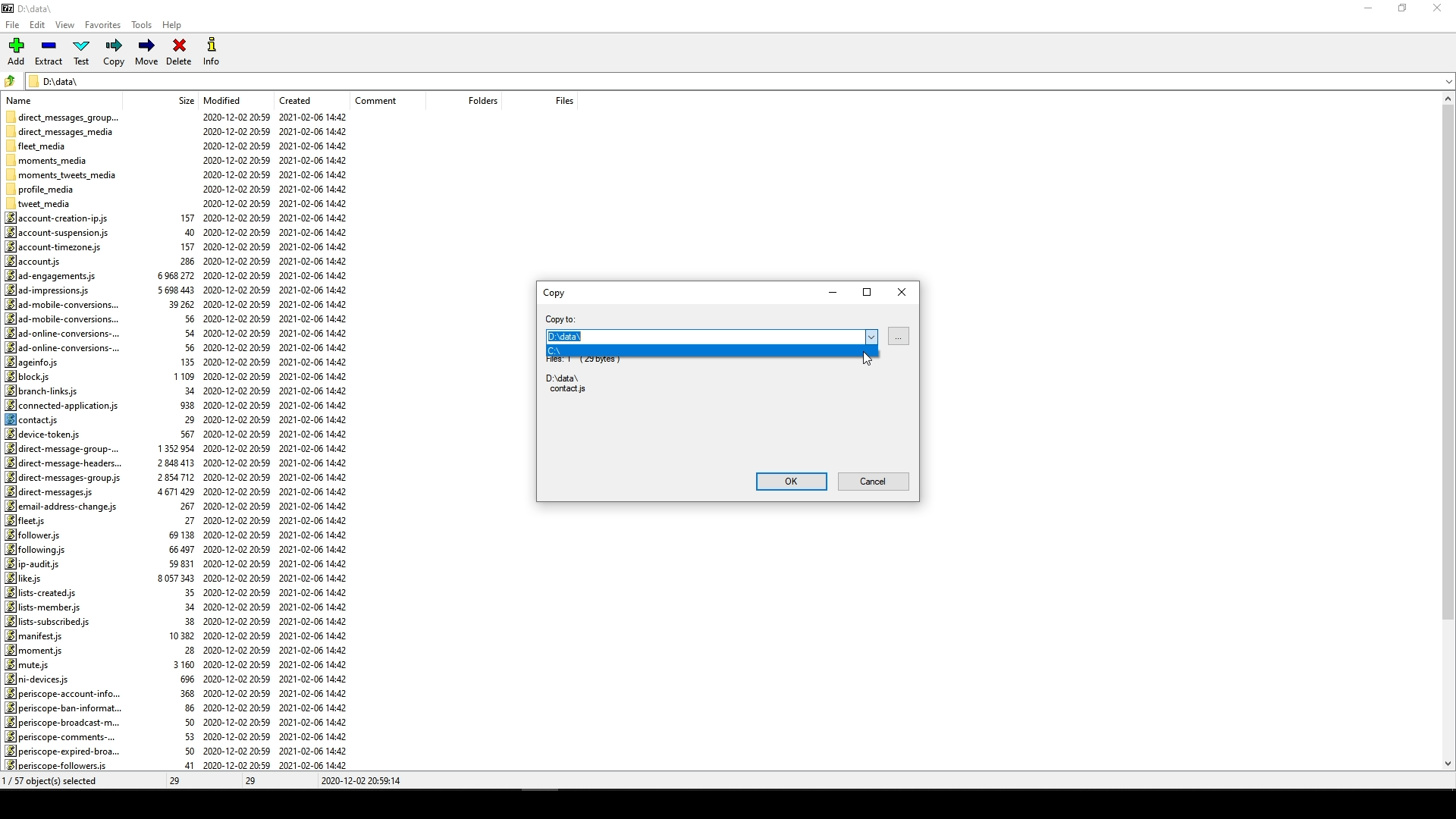 This screenshot has height=819, width=1456. What do you see at coordinates (294, 99) in the screenshot?
I see `created` at bounding box center [294, 99].